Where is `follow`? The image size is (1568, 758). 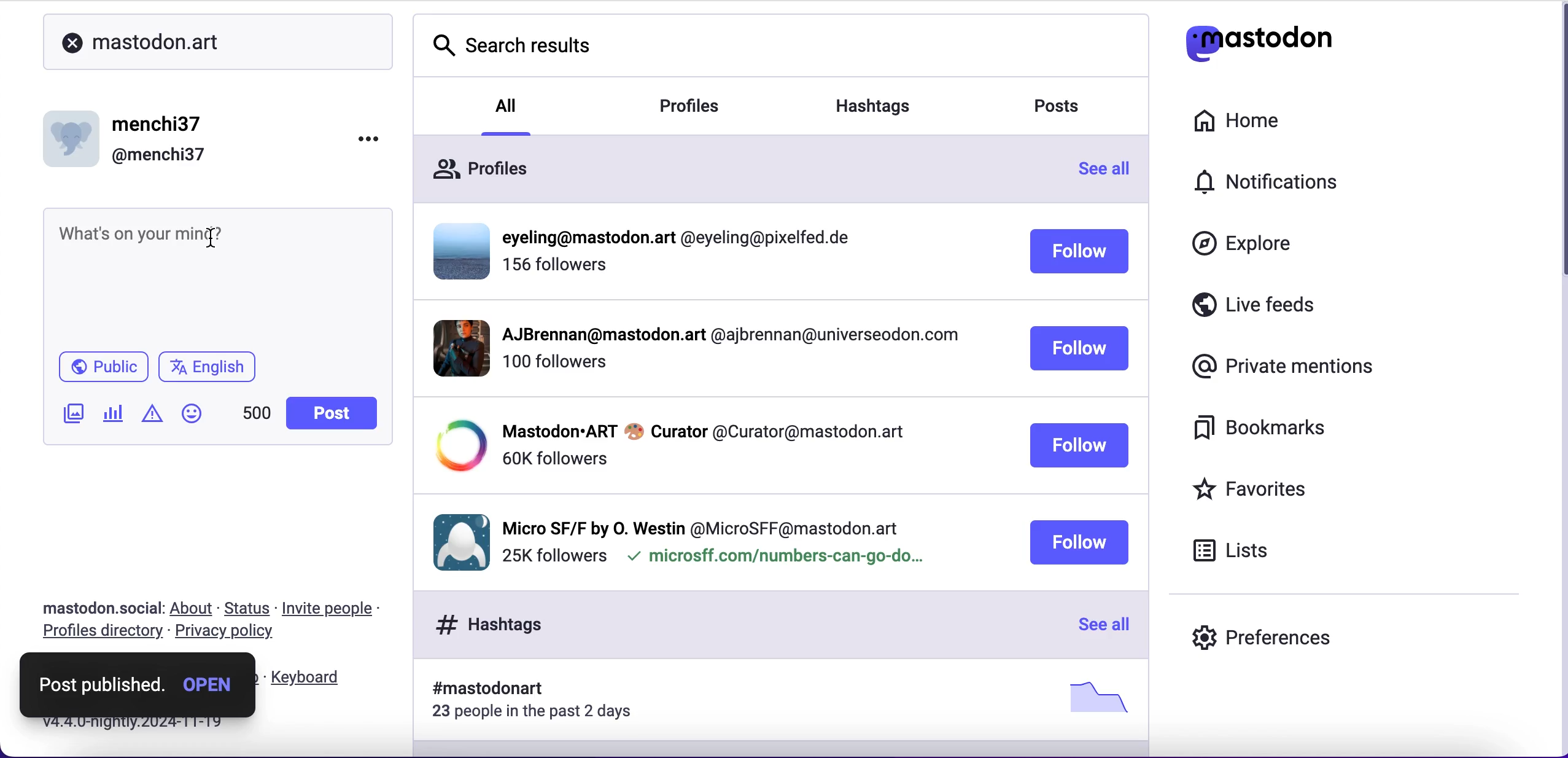 follow is located at coordinates (1078, 542).